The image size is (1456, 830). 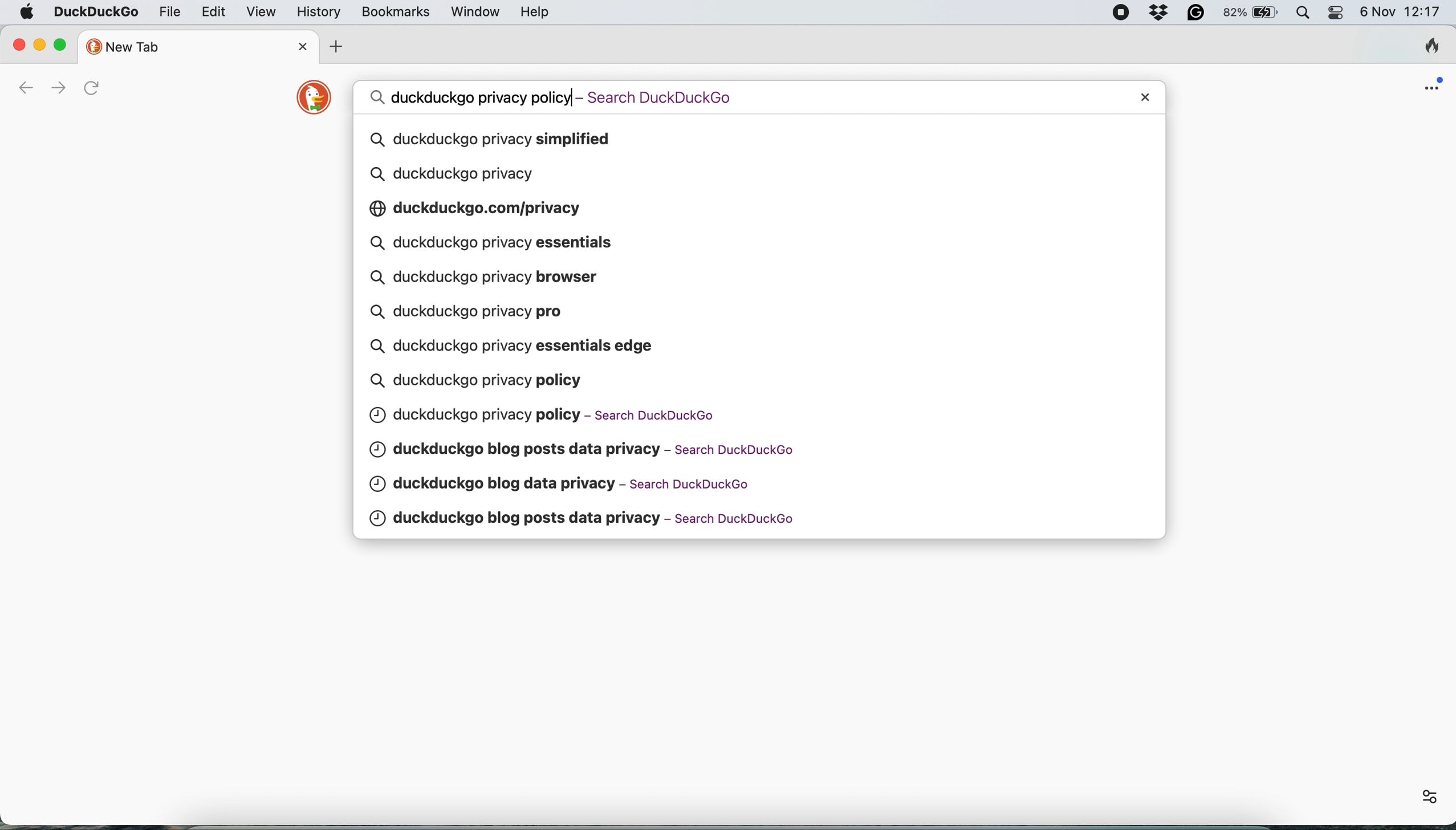 I want to click on go back, so click(x=23, y=86).